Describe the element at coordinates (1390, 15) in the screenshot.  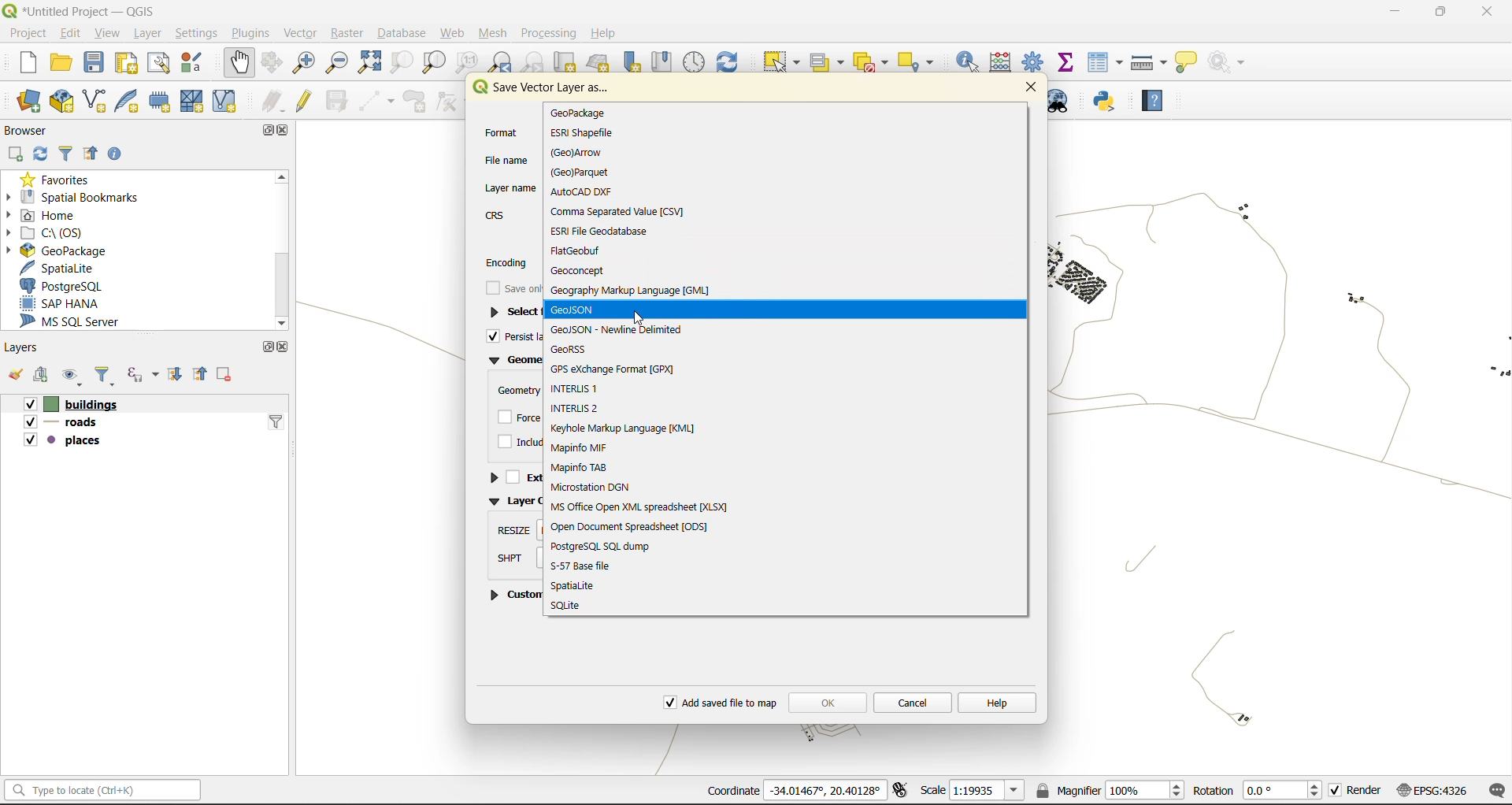
I see `minimize` at that location.